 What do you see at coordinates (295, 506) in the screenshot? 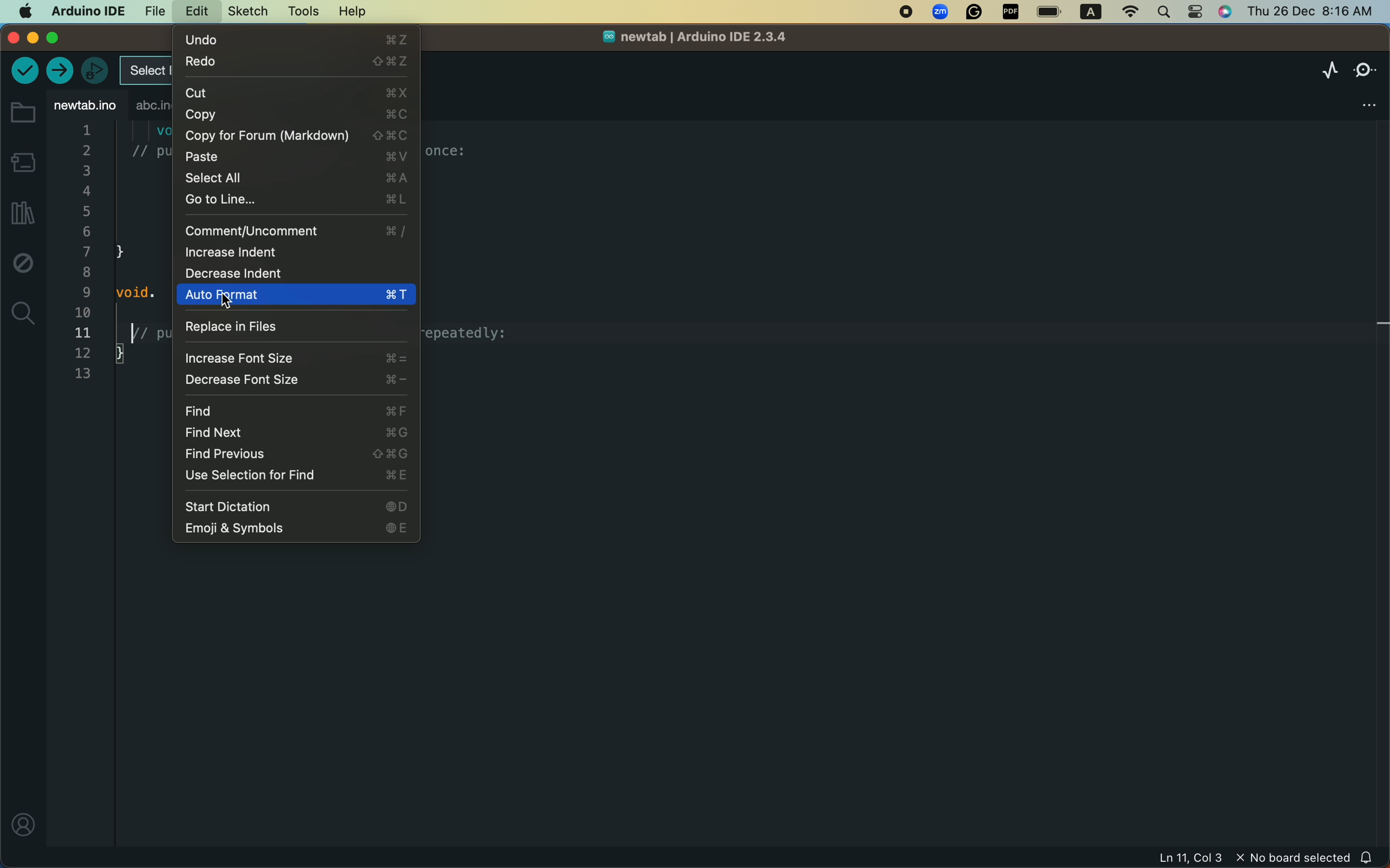
I see `dictation` at bounding box center [295, 506].